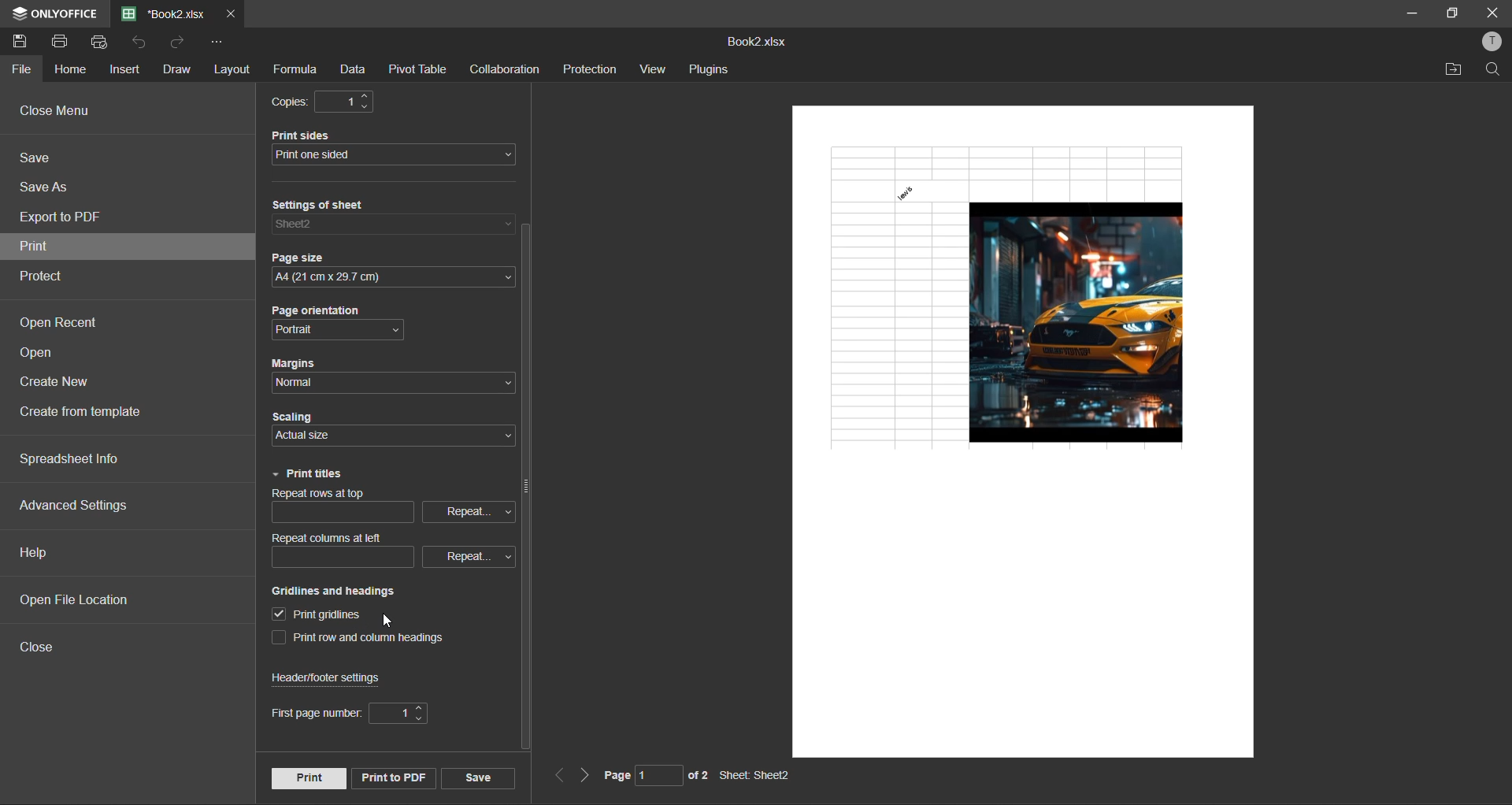 Image resolution: width=1512 pixels, height=805 pixels. What do you see at coordinates (58, 383) in the screenshot?
I see `create new` at bounding box center [58, 383].